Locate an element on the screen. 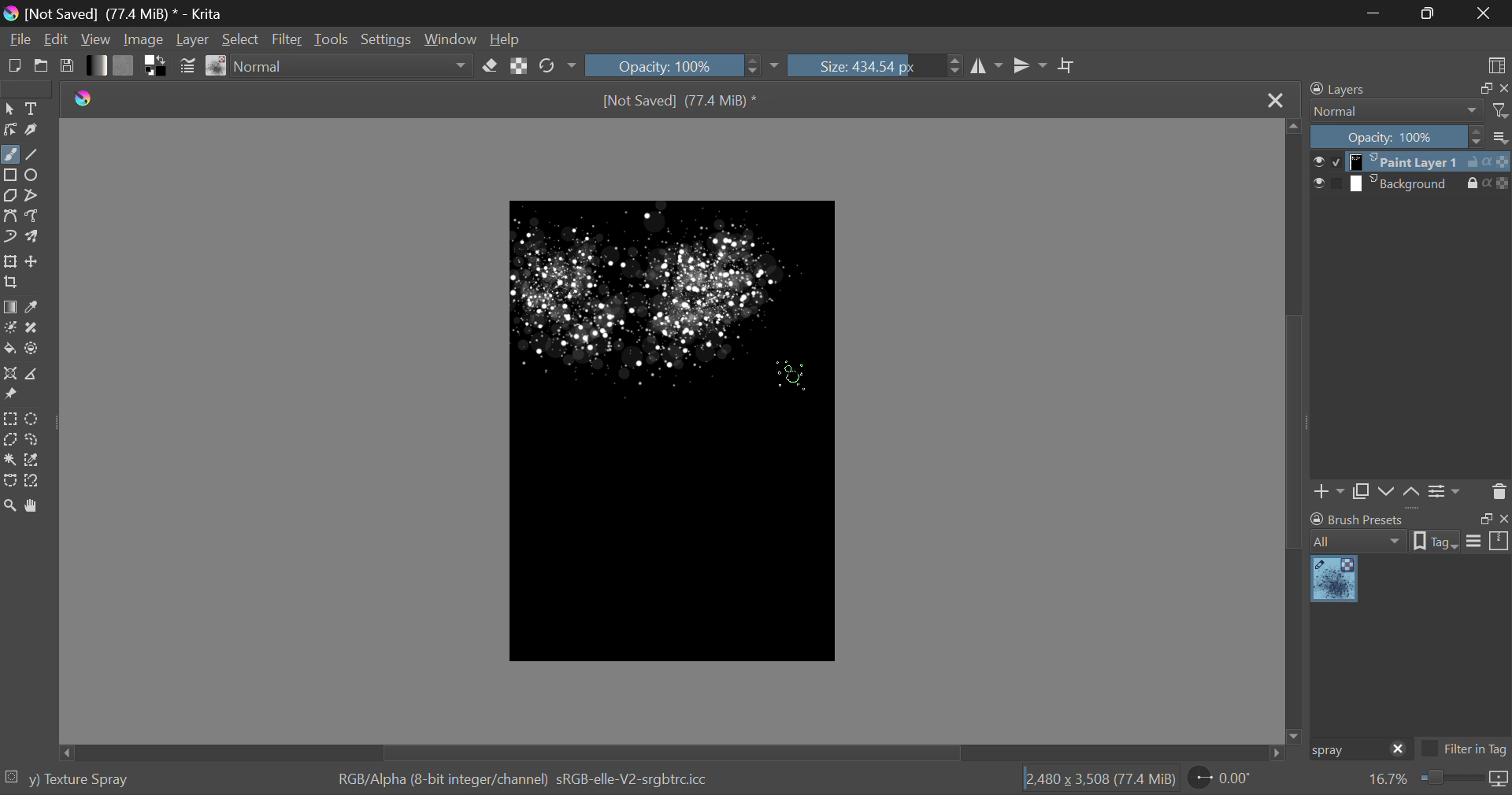 The image size is (1512, 795). Filter is located at coordinates (287, 39).